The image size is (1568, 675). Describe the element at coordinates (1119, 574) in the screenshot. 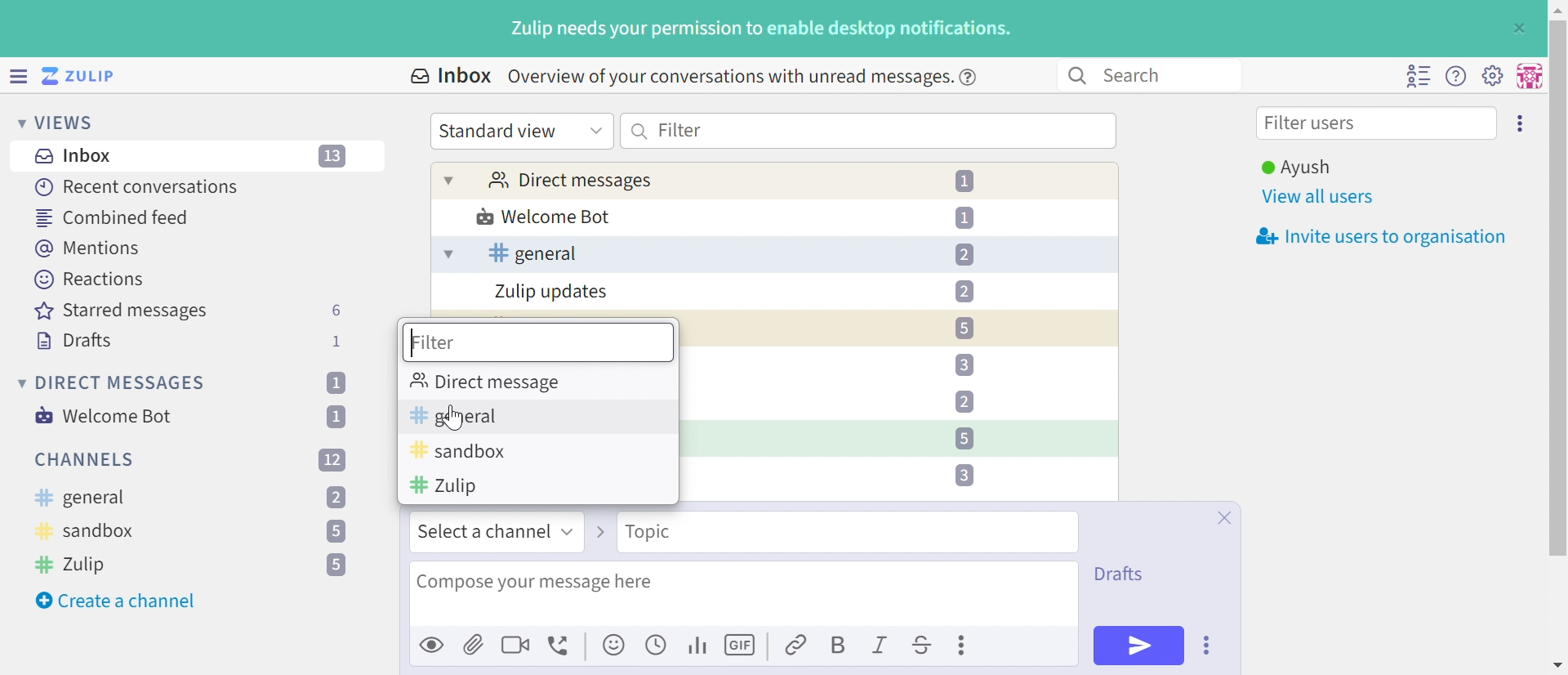

I see `Drafts` at that location.